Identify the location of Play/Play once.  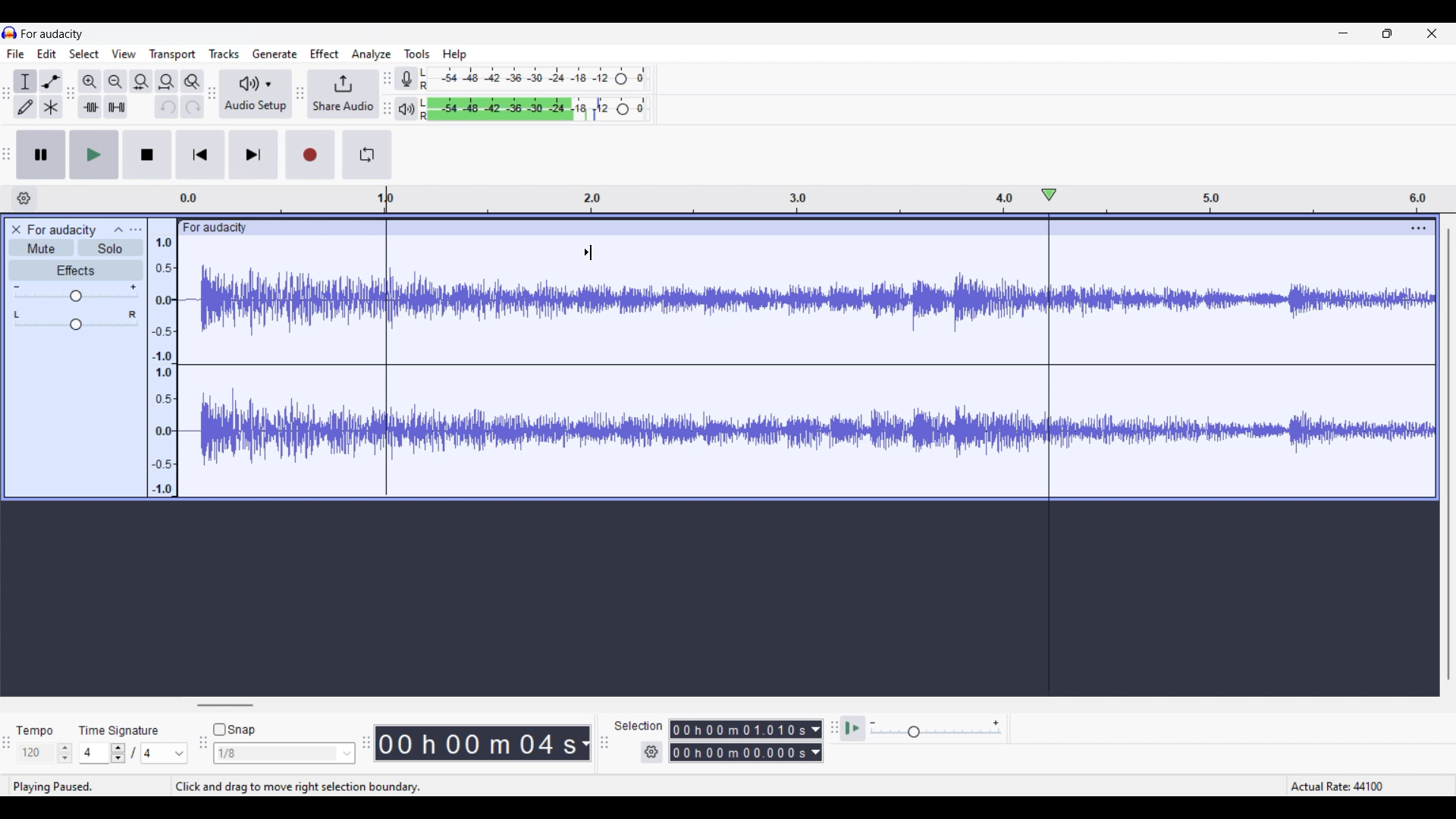
(94, 155).